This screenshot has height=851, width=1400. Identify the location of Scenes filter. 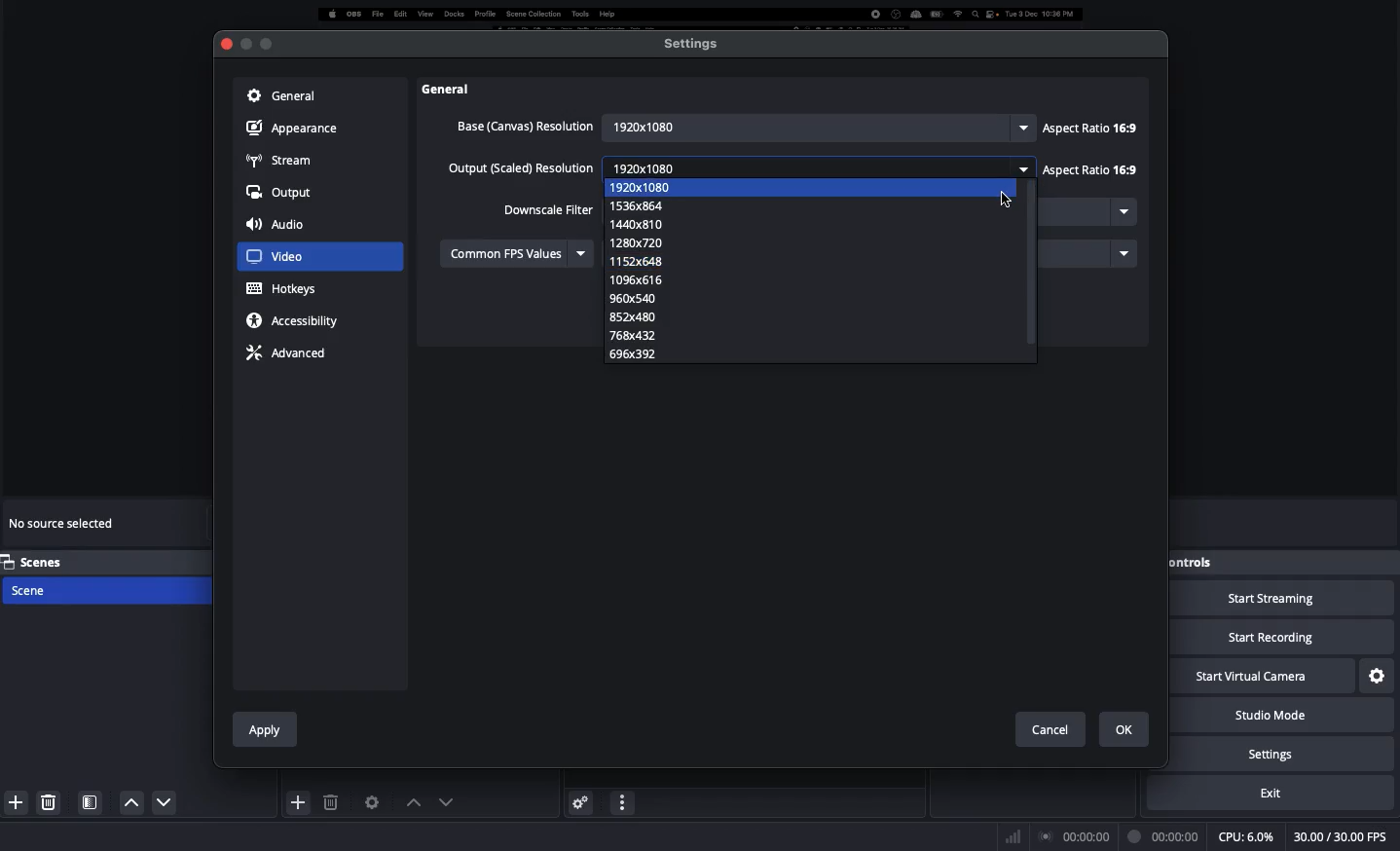
(91, 802).